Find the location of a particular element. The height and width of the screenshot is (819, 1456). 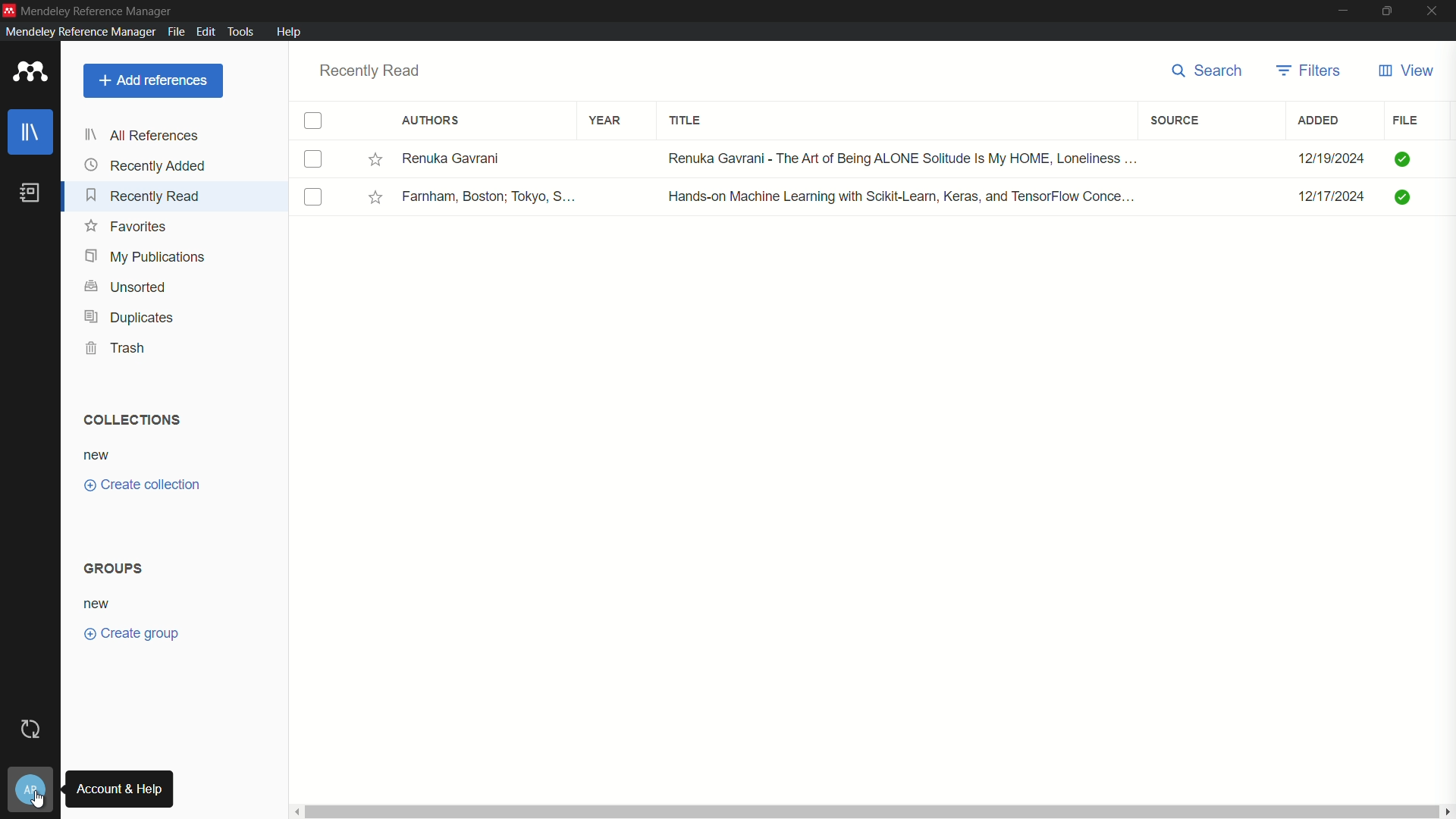

12/19/2024 is located at coordinates (1332, 158).